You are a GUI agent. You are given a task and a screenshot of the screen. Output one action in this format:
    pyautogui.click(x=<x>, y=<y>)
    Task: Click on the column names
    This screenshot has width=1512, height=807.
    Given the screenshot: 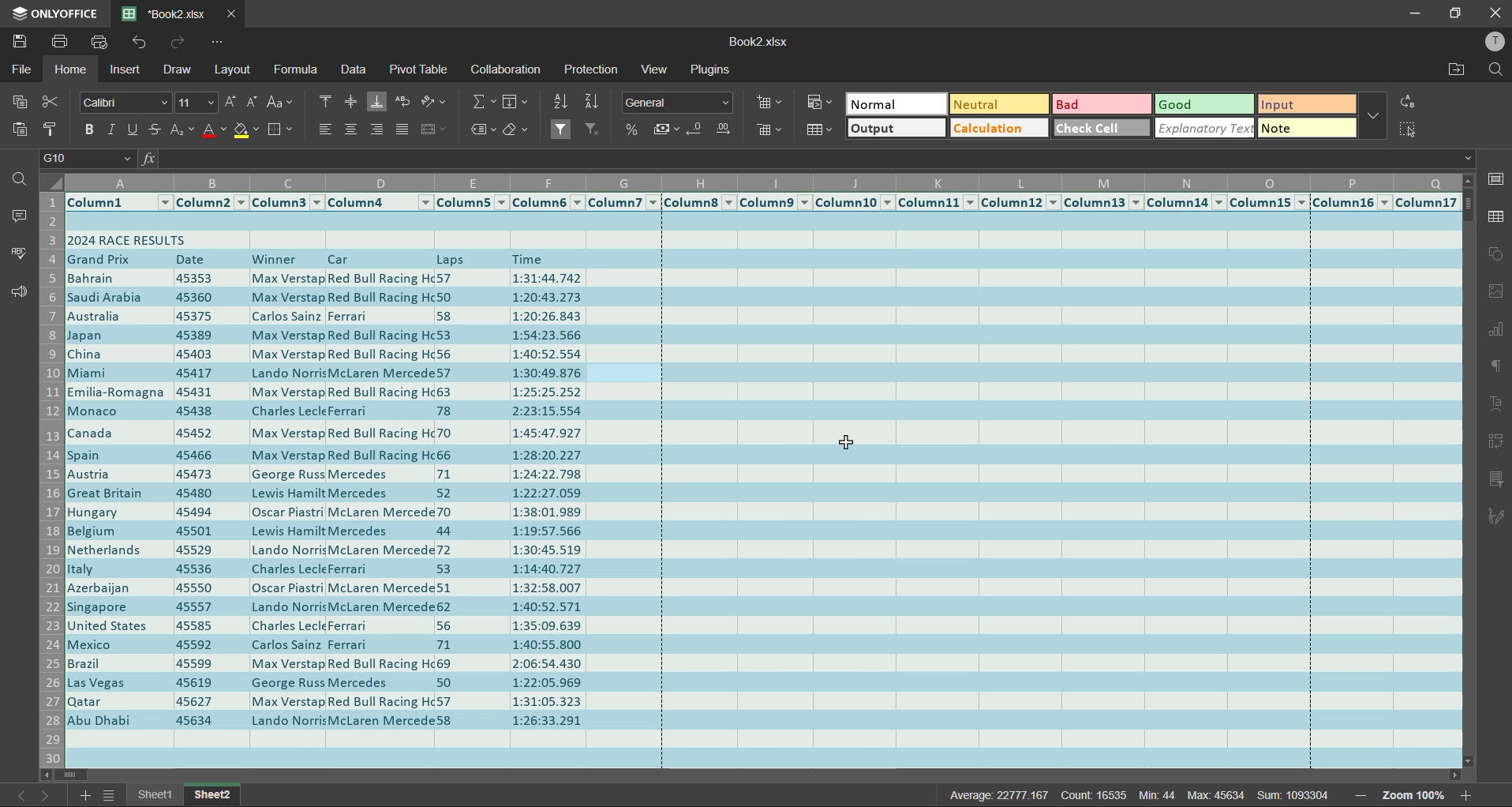 What is the action you would take?
    pyautogui.click(x=765, y=182)
    